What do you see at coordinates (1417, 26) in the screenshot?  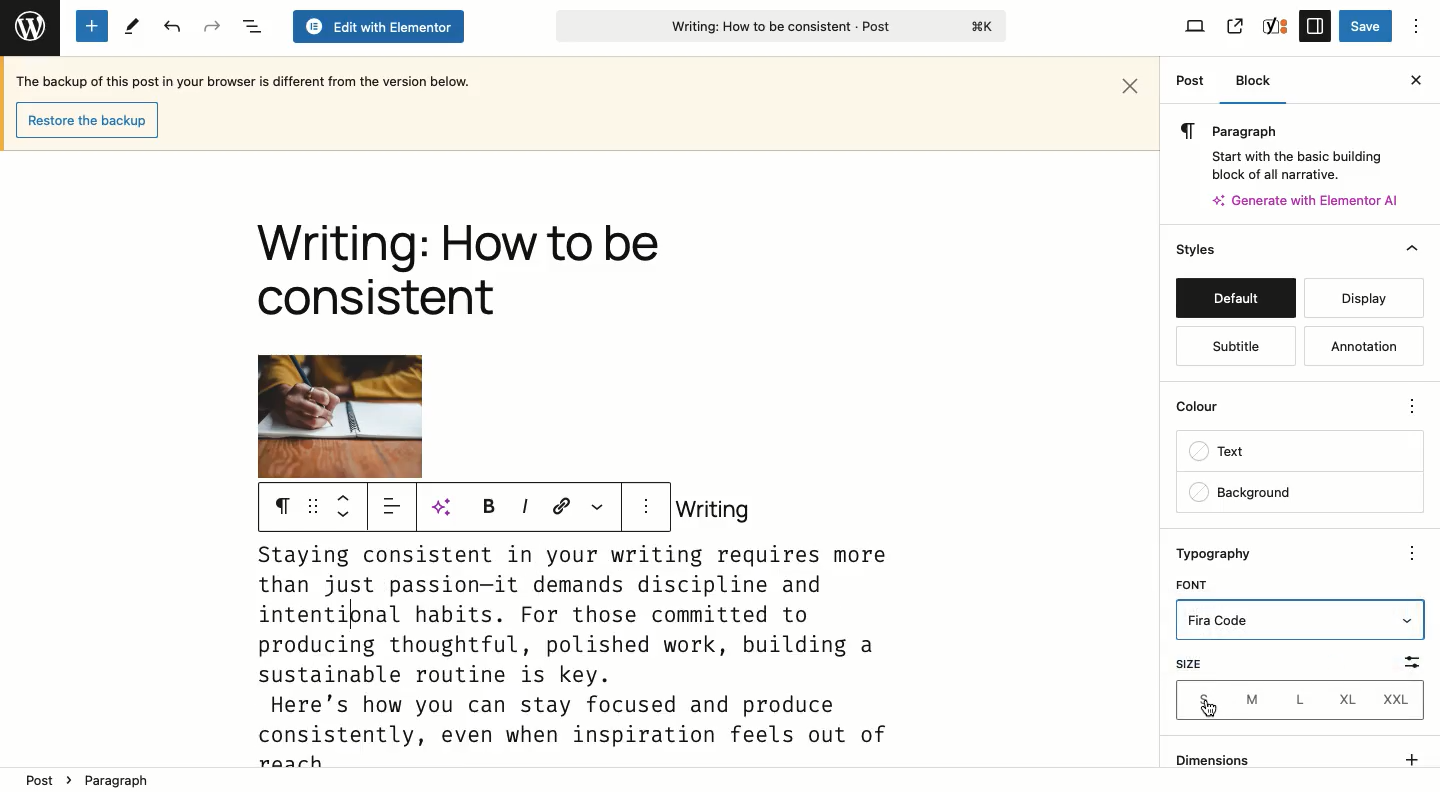 I see `Options` at bounding box center [1417, 26].